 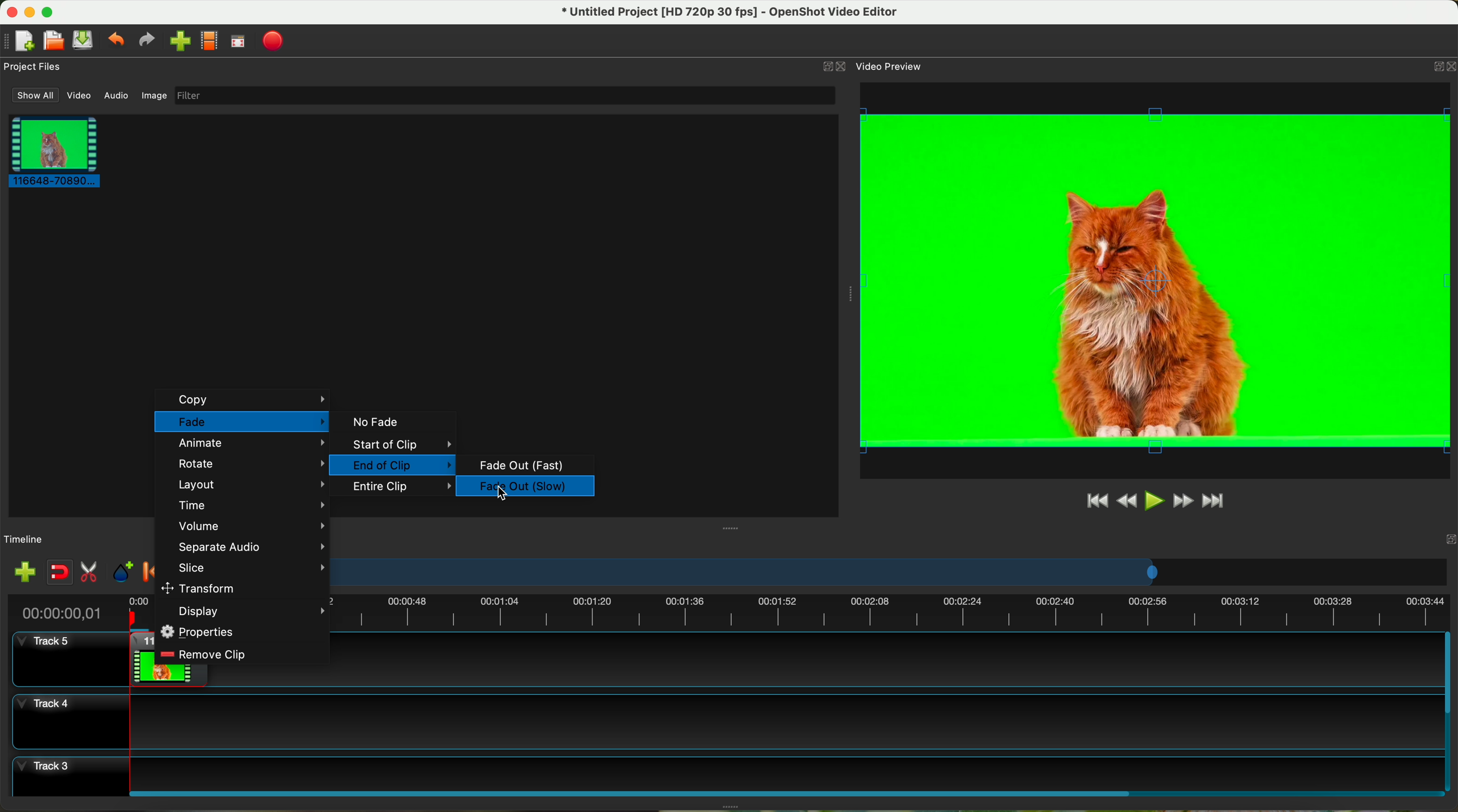 I want to click on 00:00, so click(x=140, y=612).